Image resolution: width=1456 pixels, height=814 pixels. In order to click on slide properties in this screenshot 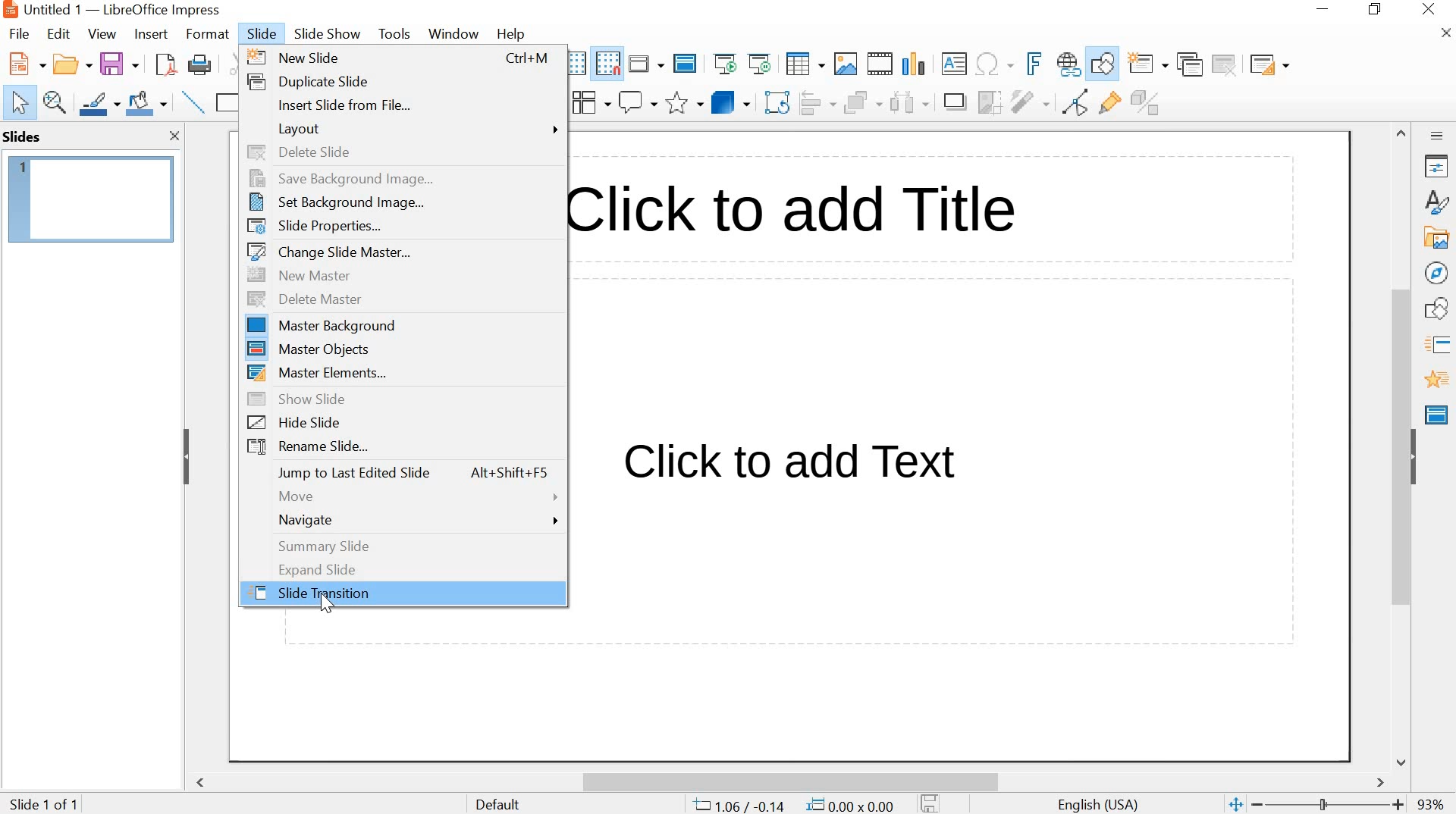, I will do `click(399, 225)`.